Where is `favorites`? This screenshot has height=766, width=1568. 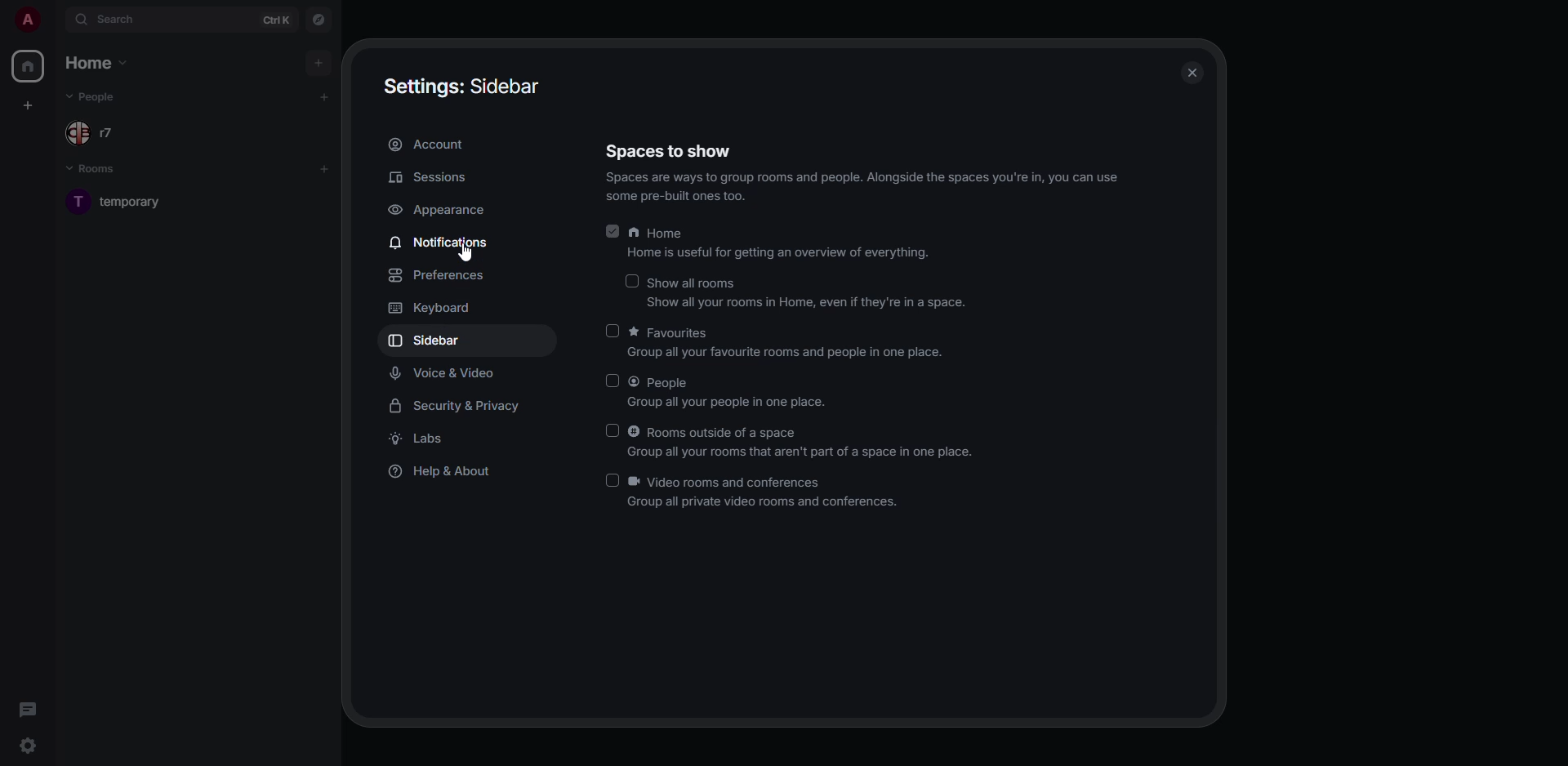 favorites is located at coordinates (785, 345).